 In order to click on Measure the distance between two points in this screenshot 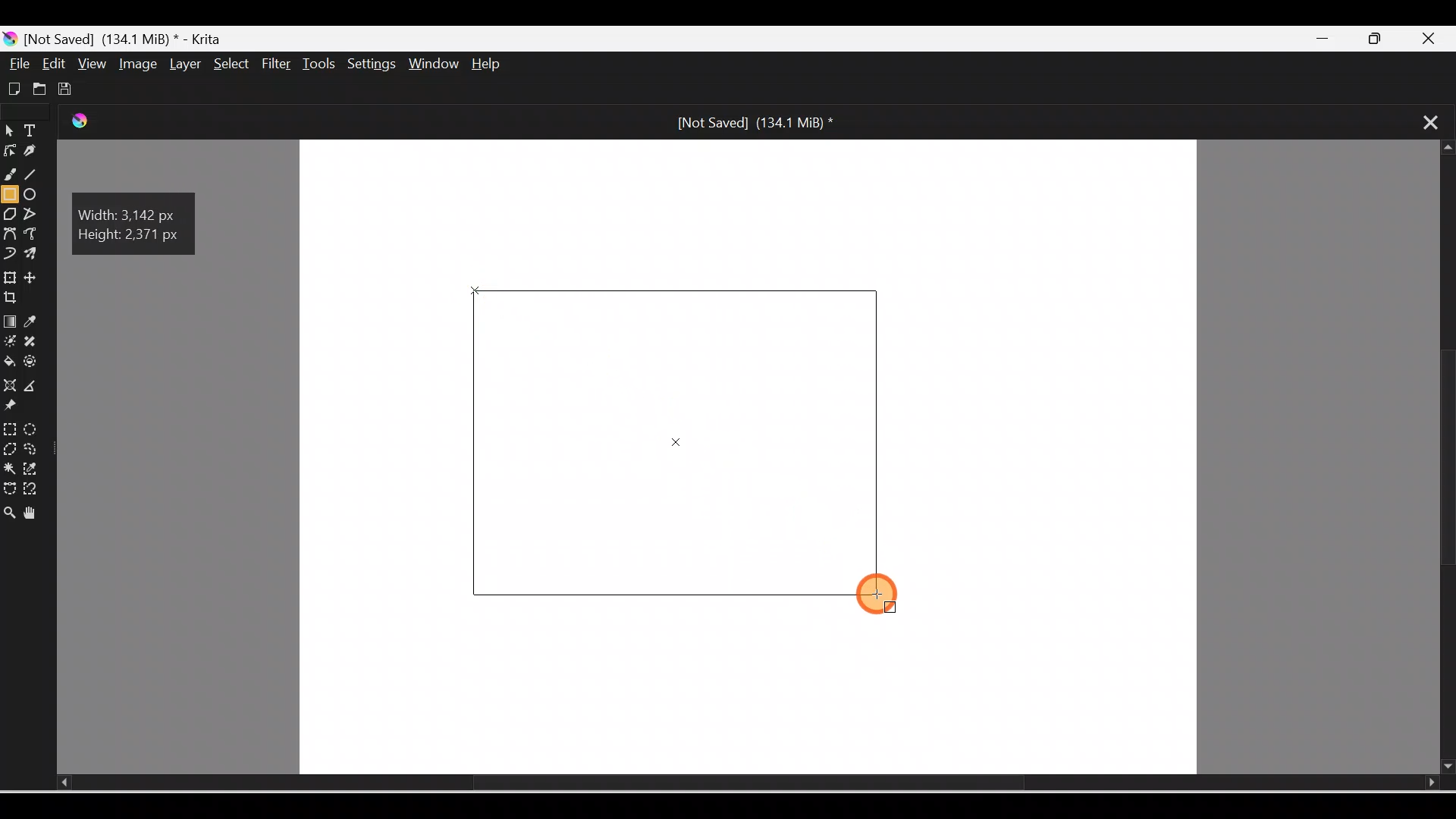, I will do `click(36, 387)`.